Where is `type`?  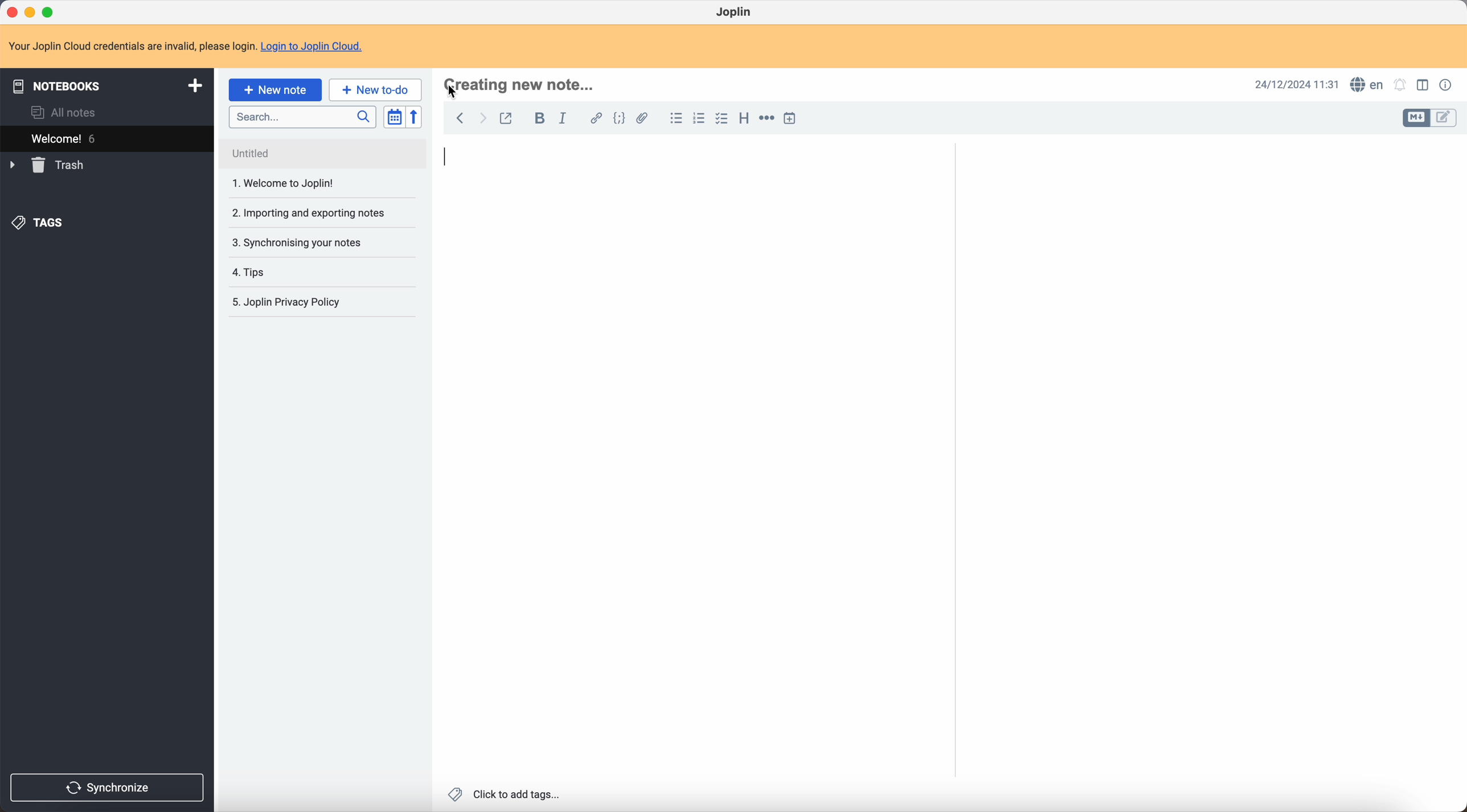 type is located at coordinates (449, 158).